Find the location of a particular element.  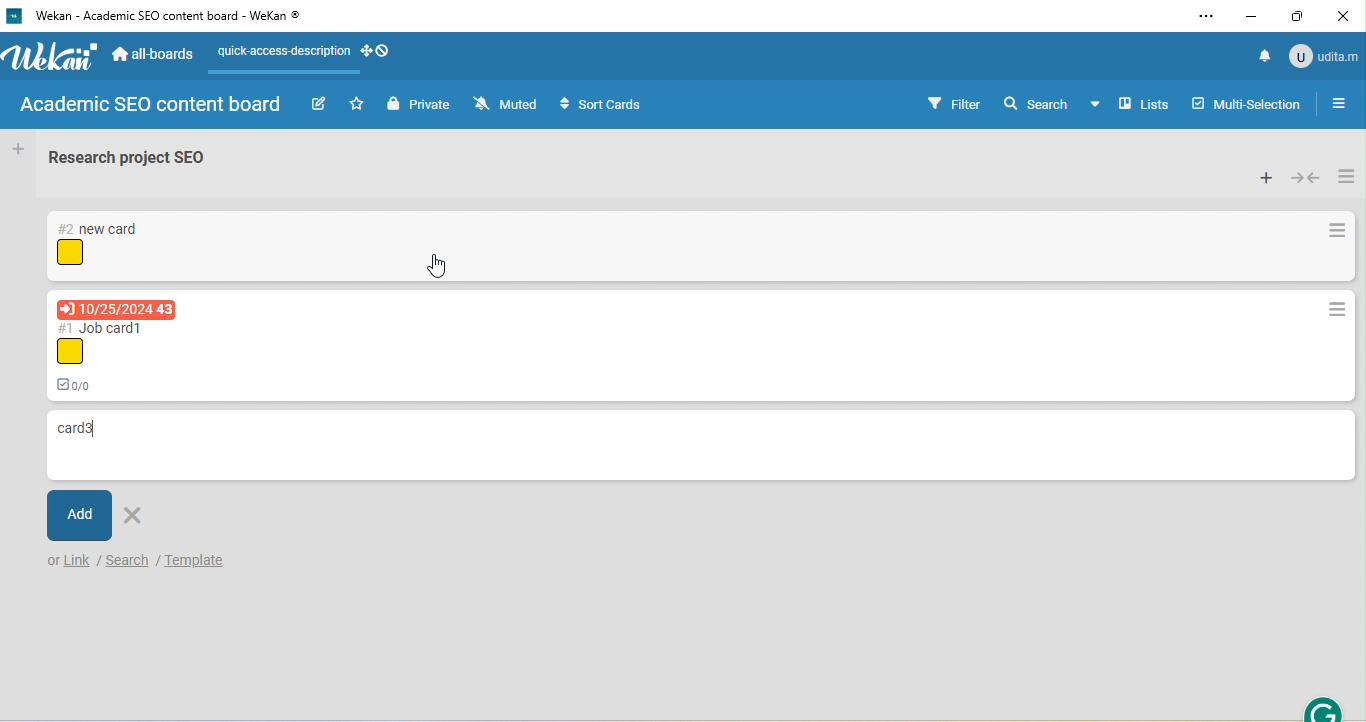

all boards is located at coordinates (155, 57).